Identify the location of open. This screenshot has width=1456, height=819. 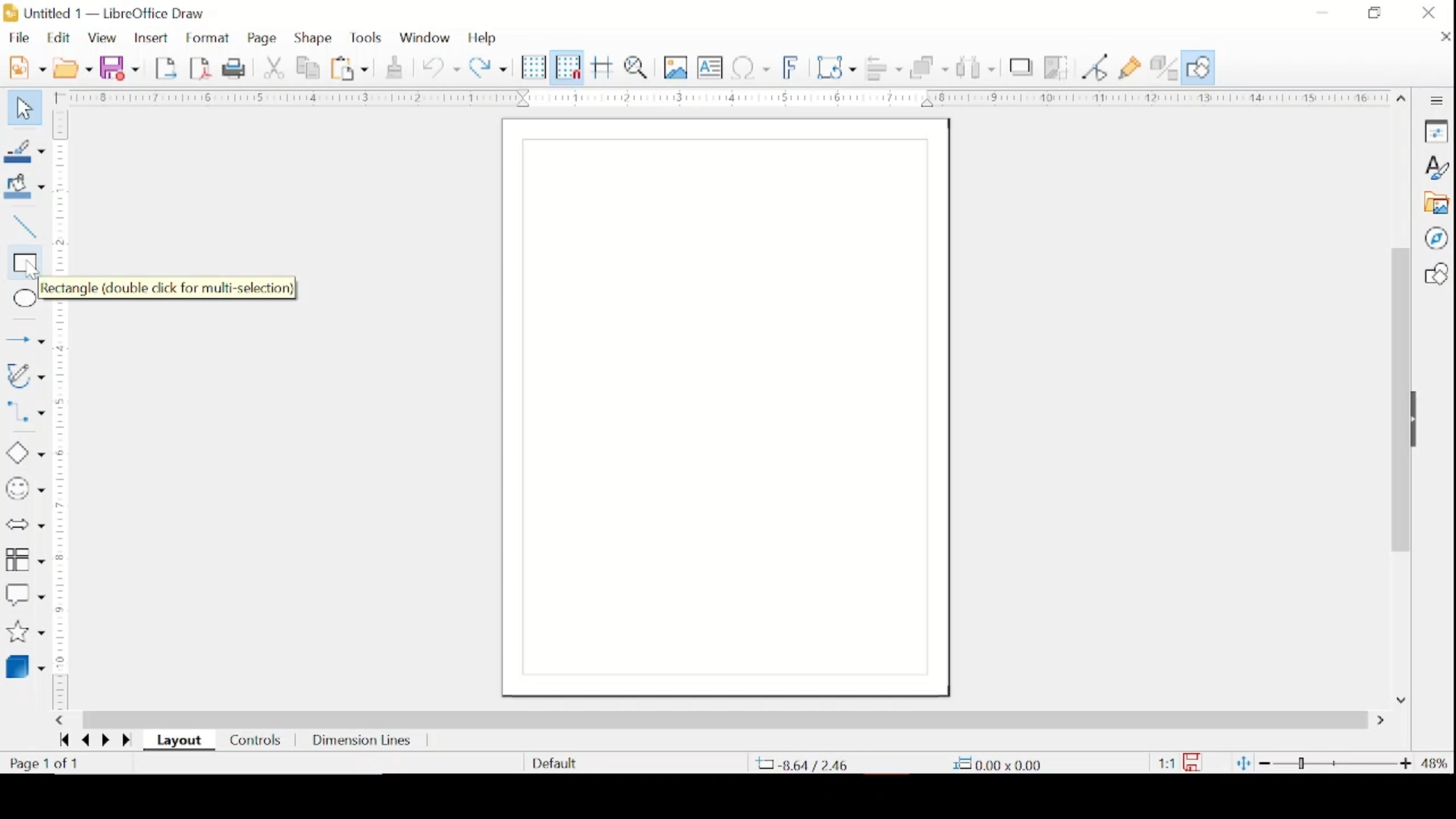
(73, 67).